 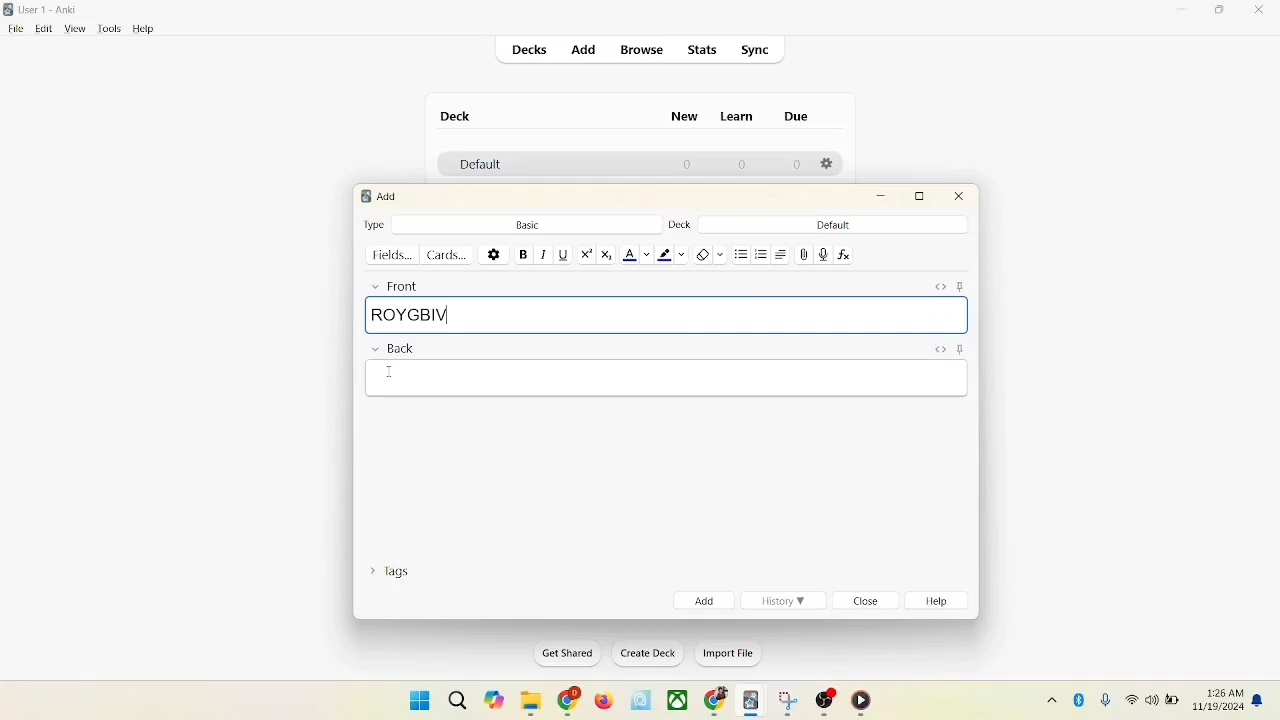 What do you see at coordinates (1259, 700) in the screenshot?
I see `notification` at bounding box center [1259, 700].